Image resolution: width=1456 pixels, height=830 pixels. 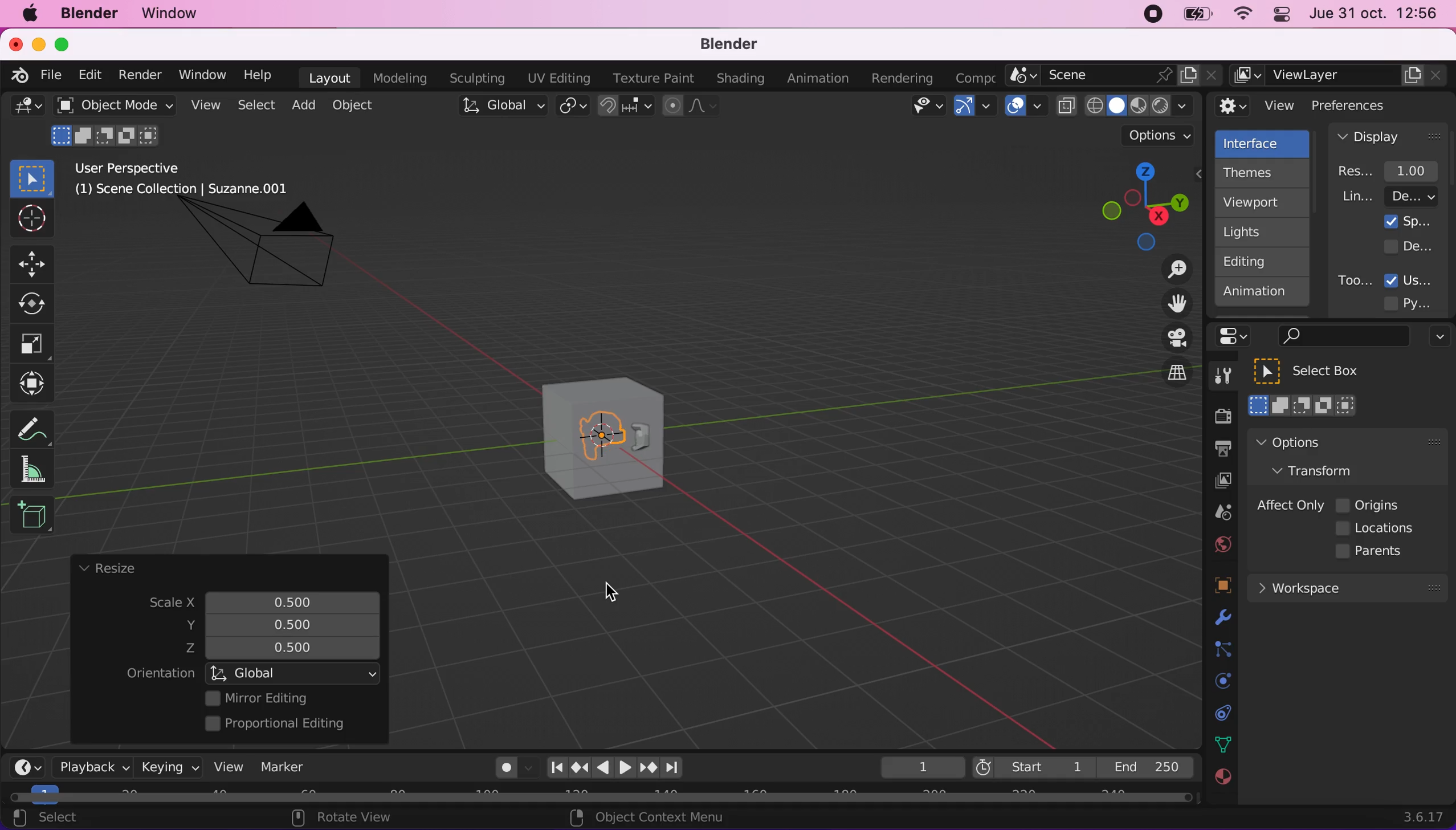 I want to click on wifi, so click(x=1239, y=17).